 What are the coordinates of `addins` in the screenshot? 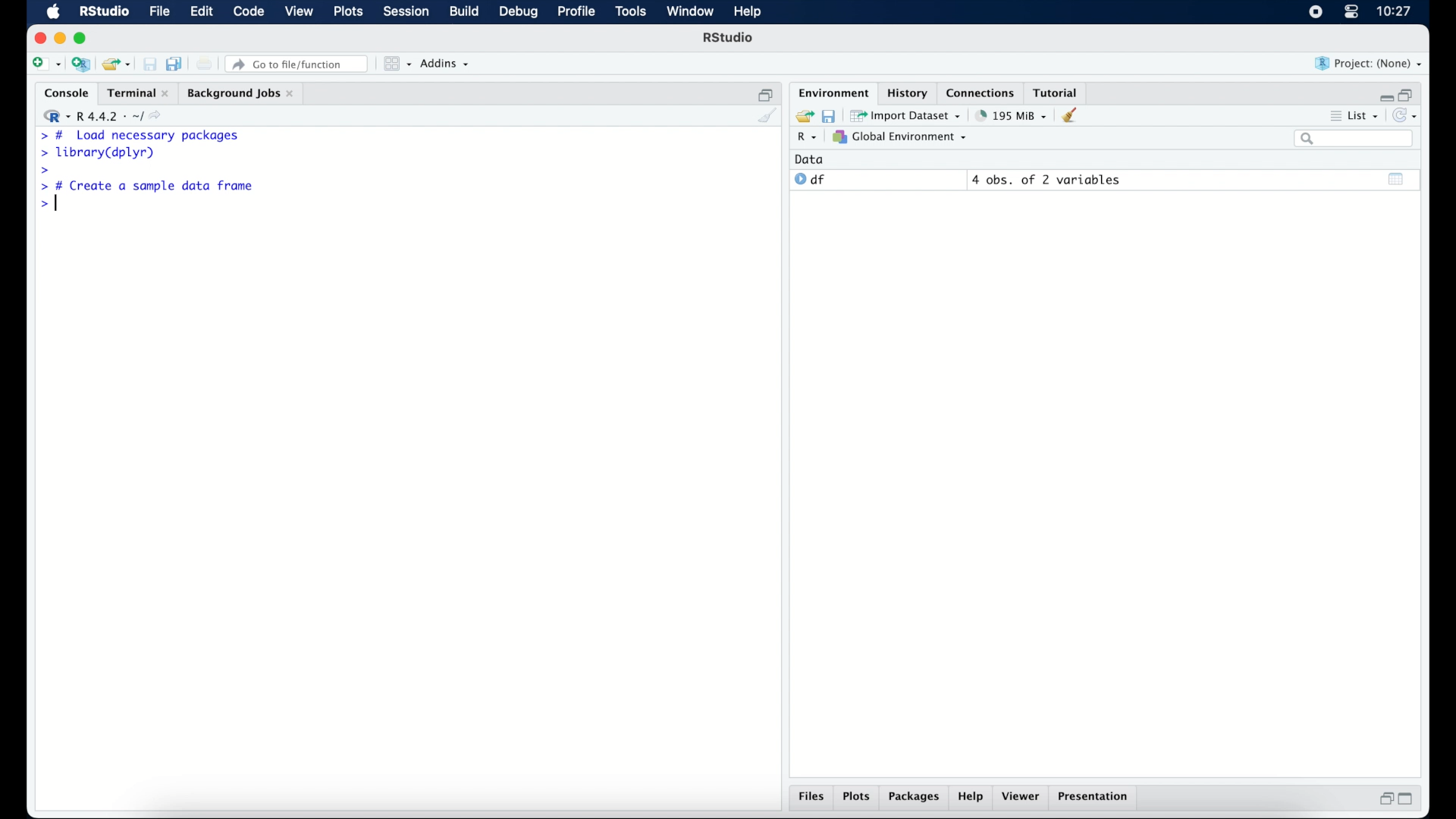 It's located at (445, 64).